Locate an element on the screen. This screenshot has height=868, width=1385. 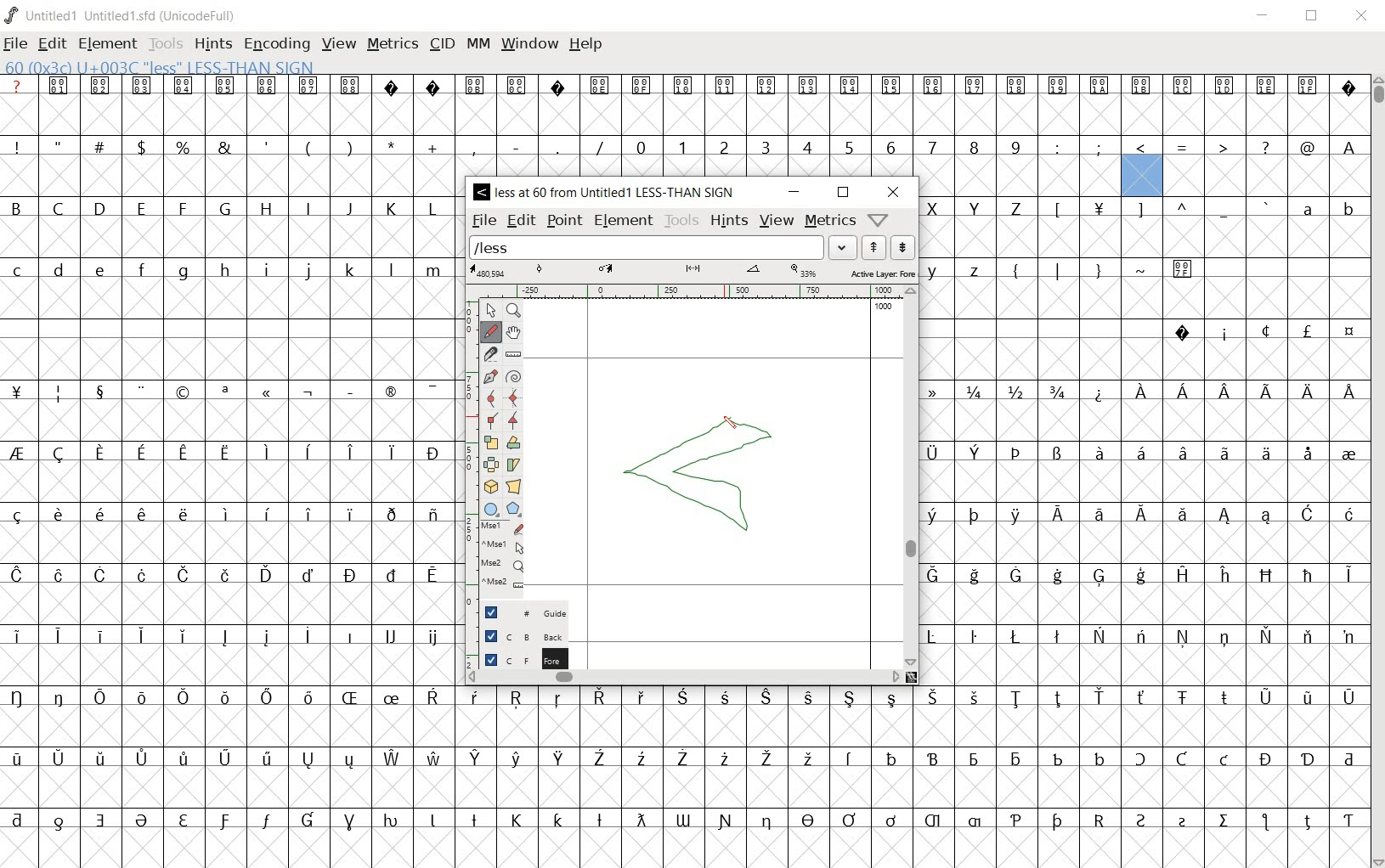
rectangle or ellipse is located at coordinates (494, 509).